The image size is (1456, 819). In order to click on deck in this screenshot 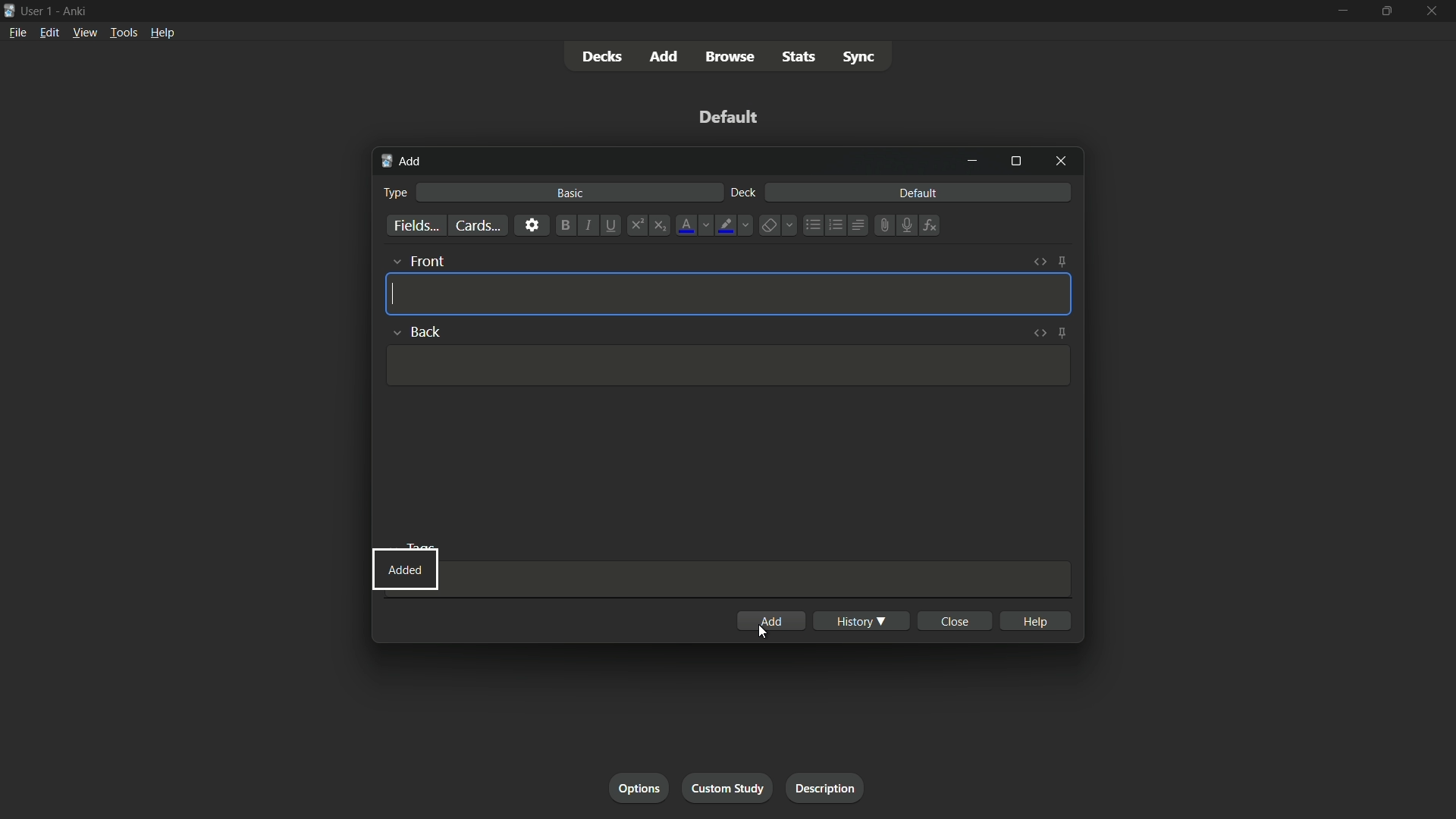, I will do `click(742, 193)`.